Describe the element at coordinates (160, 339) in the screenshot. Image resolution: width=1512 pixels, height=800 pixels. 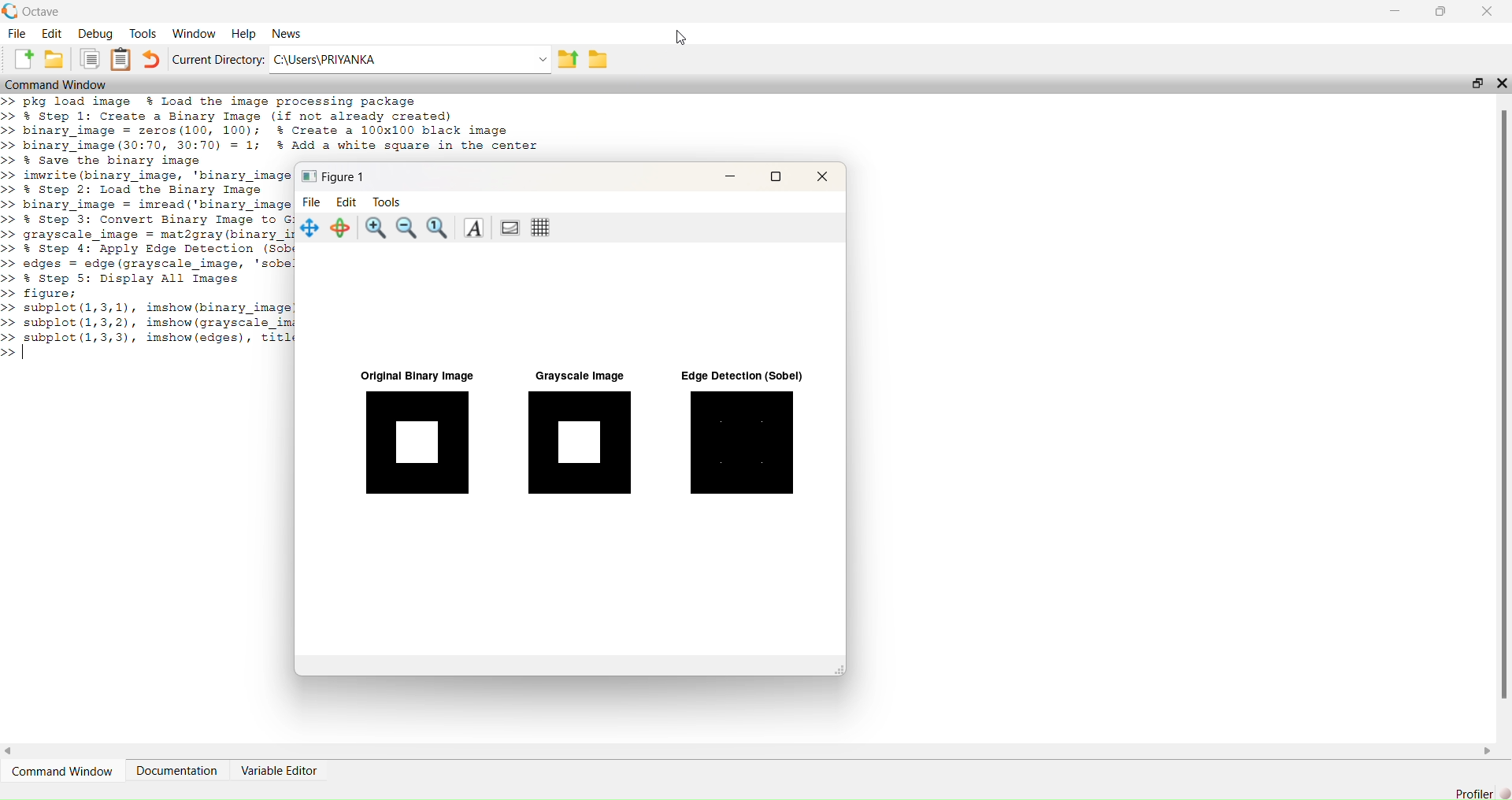
I see `subplot (1,3,3), imshow(edges), titl` at that location.